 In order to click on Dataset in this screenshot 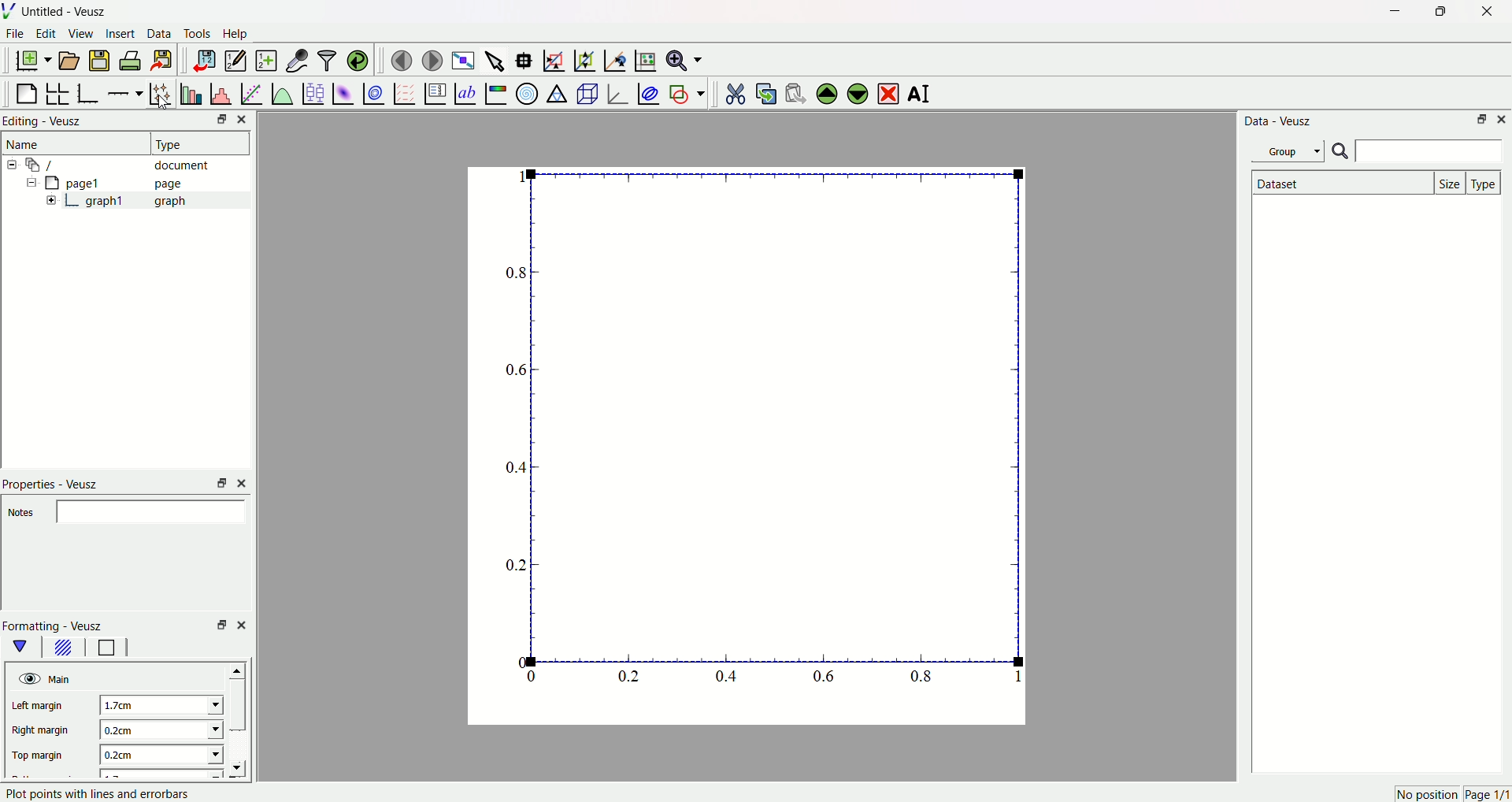, I will do `click(1340, 183)`.